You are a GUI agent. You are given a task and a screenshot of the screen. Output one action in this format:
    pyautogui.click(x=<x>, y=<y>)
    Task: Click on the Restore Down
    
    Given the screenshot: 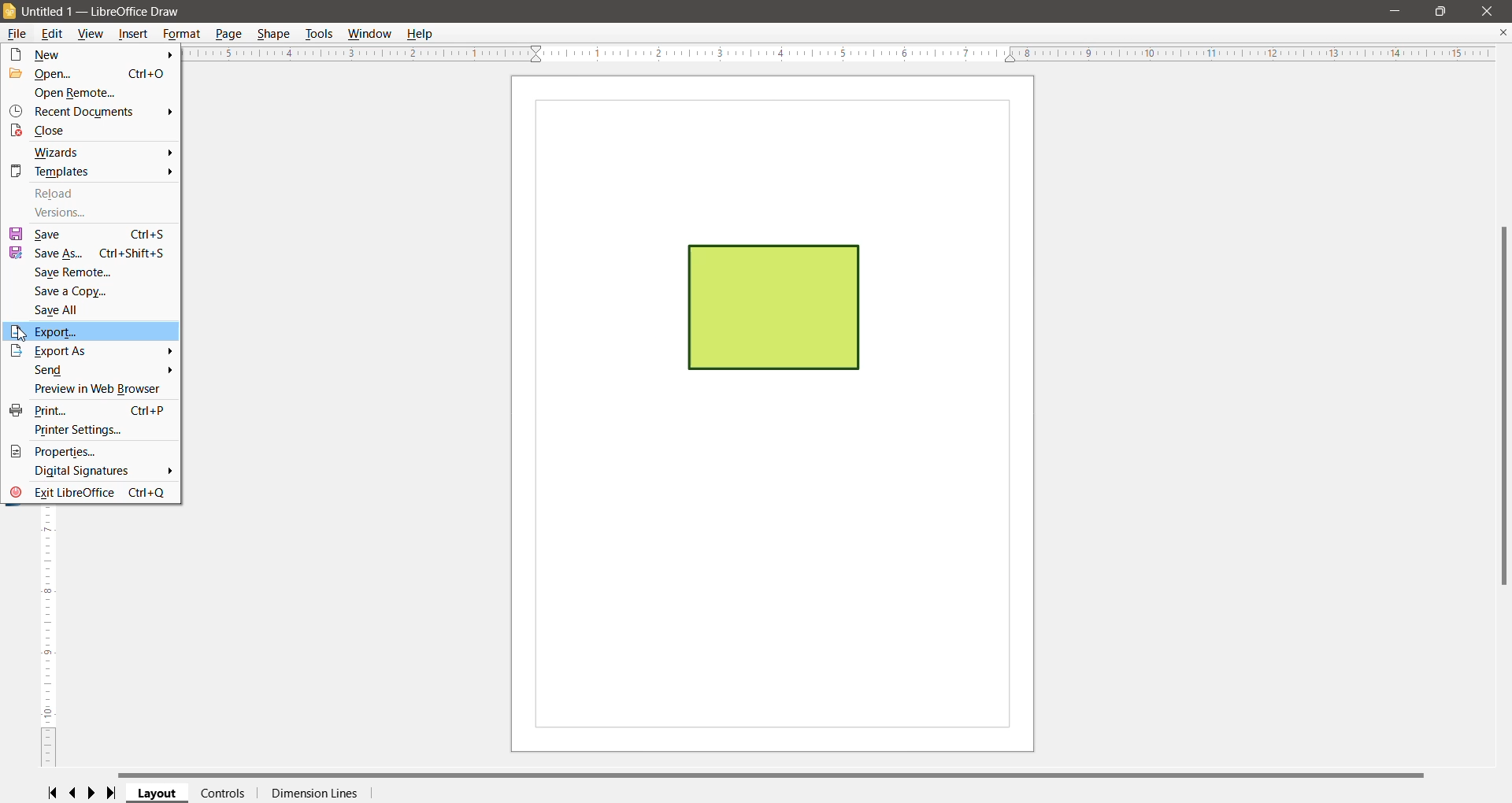 What is the action you would take?
    pyautogui.click(x=1440, y=9)
    